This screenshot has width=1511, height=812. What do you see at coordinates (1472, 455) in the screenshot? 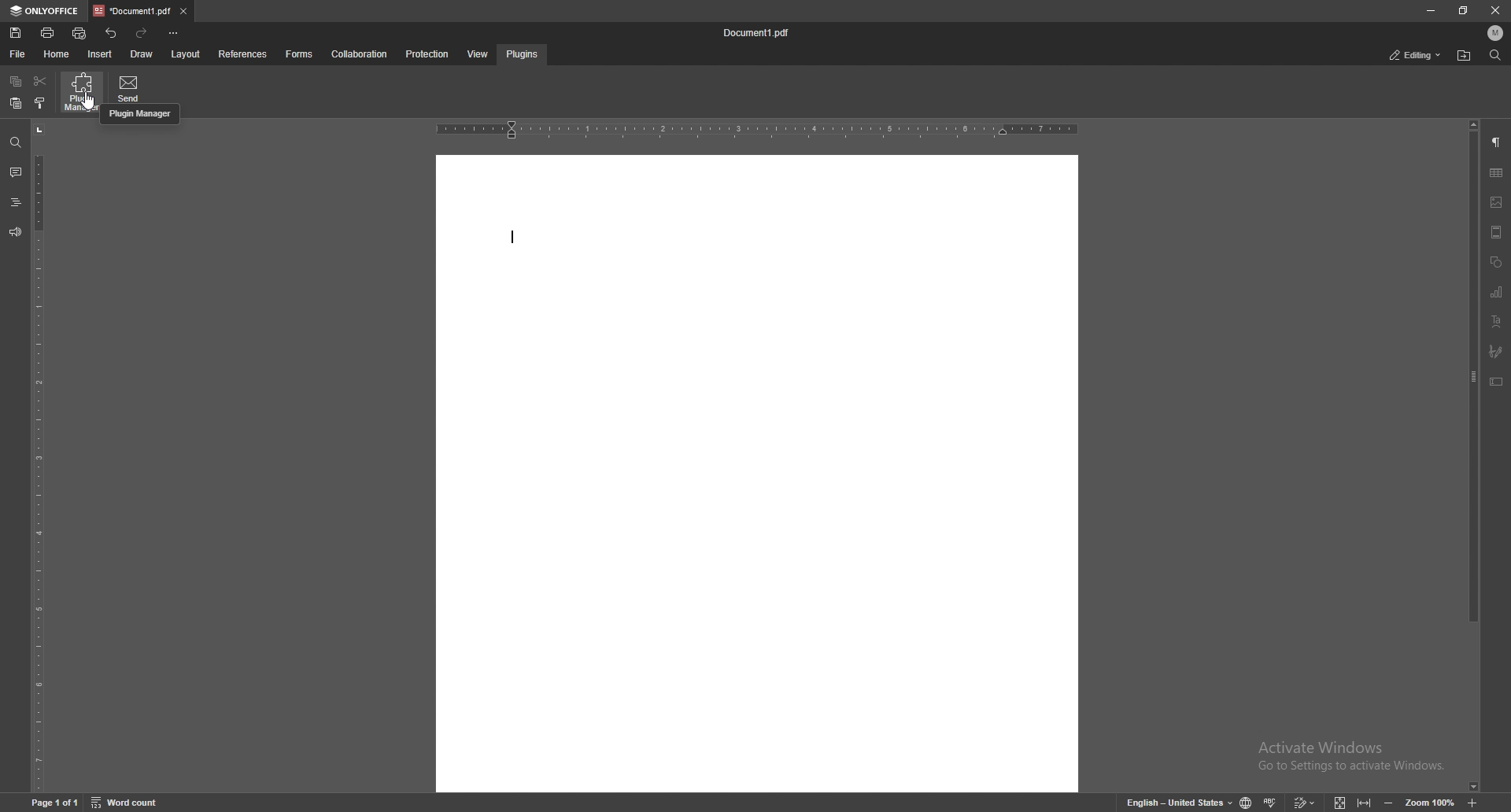
I see `scroll bar` at bounding box center [1472, 455].